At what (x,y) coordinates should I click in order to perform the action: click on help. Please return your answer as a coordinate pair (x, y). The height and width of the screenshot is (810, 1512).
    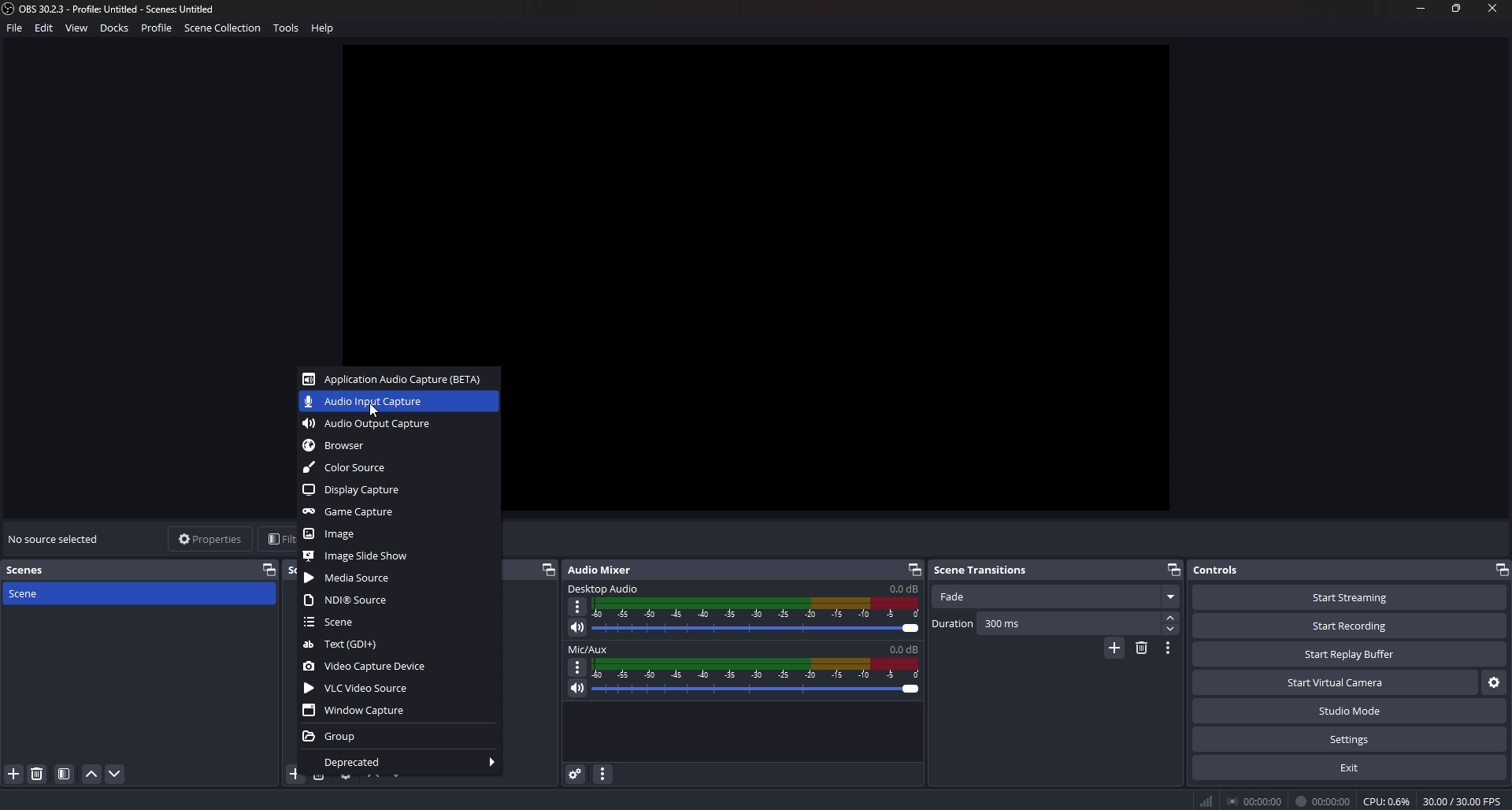
    Looking at the image, I should click on (326, 30).